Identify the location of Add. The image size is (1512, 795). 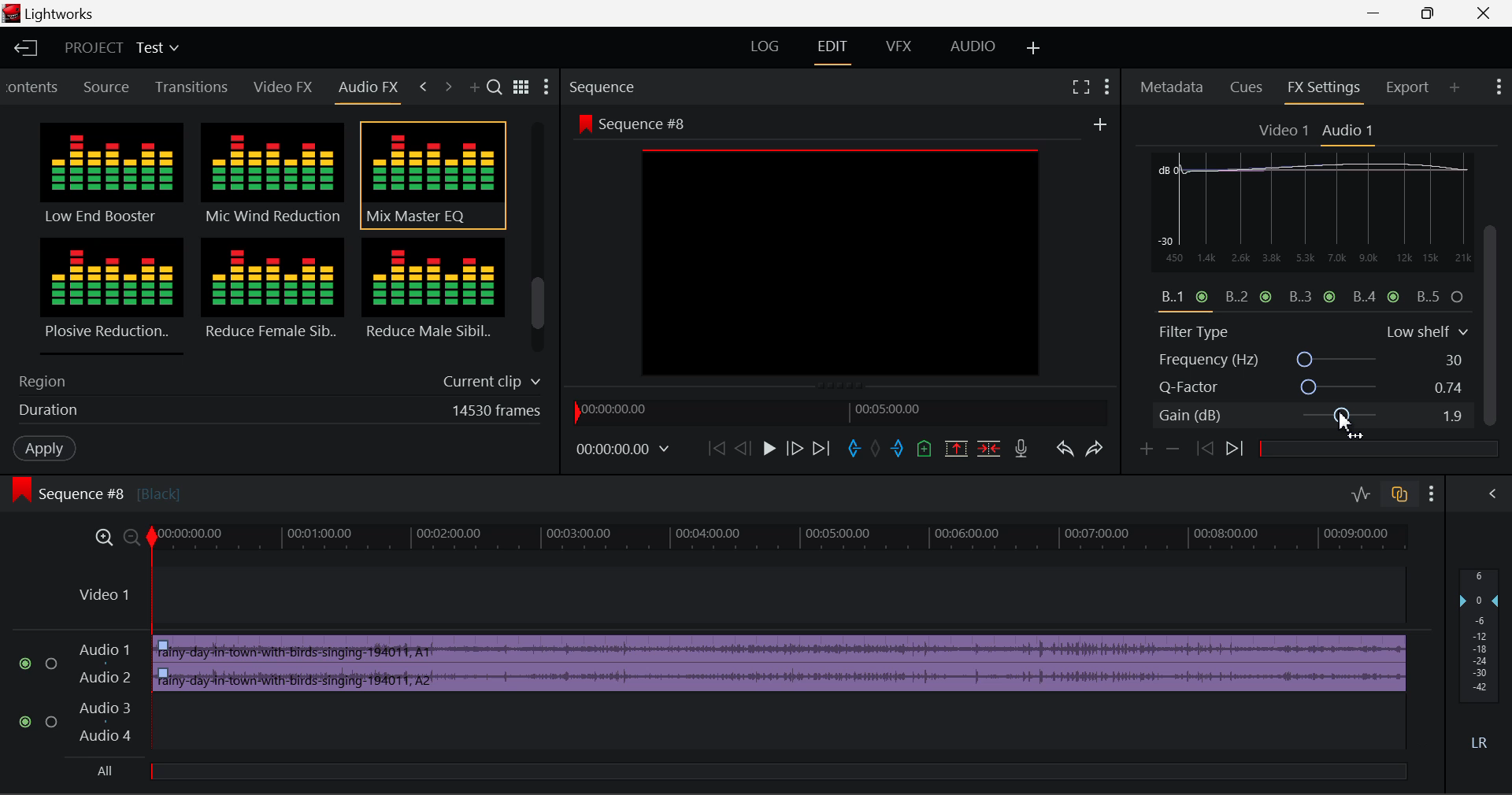
(1100, 125).